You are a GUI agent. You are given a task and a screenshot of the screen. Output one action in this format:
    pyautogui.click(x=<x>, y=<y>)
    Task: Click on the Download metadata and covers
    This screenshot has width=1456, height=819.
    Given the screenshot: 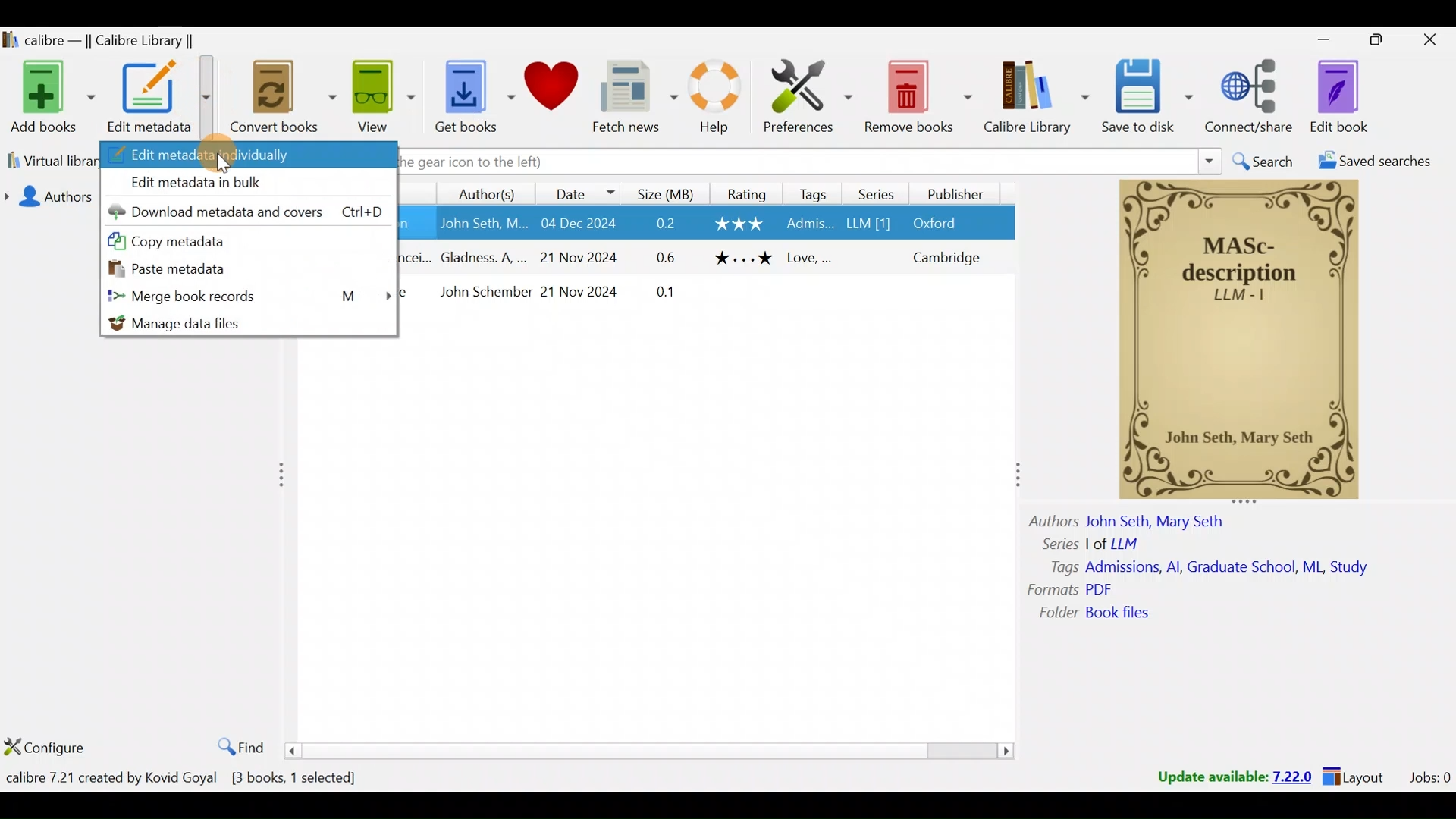 What is the action you would take?
    pyautogui.click(x=246, y=209)
    